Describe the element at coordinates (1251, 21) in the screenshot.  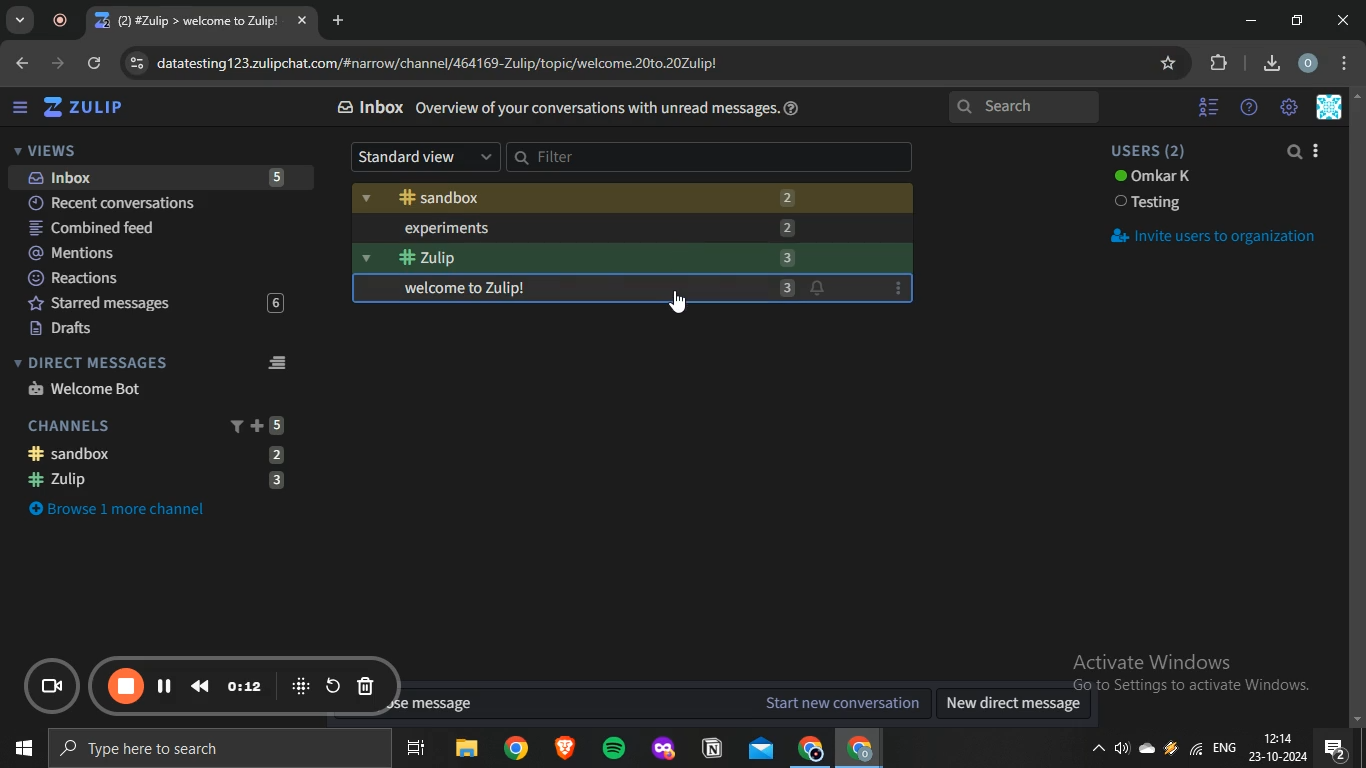
I see `minimize` at that location.